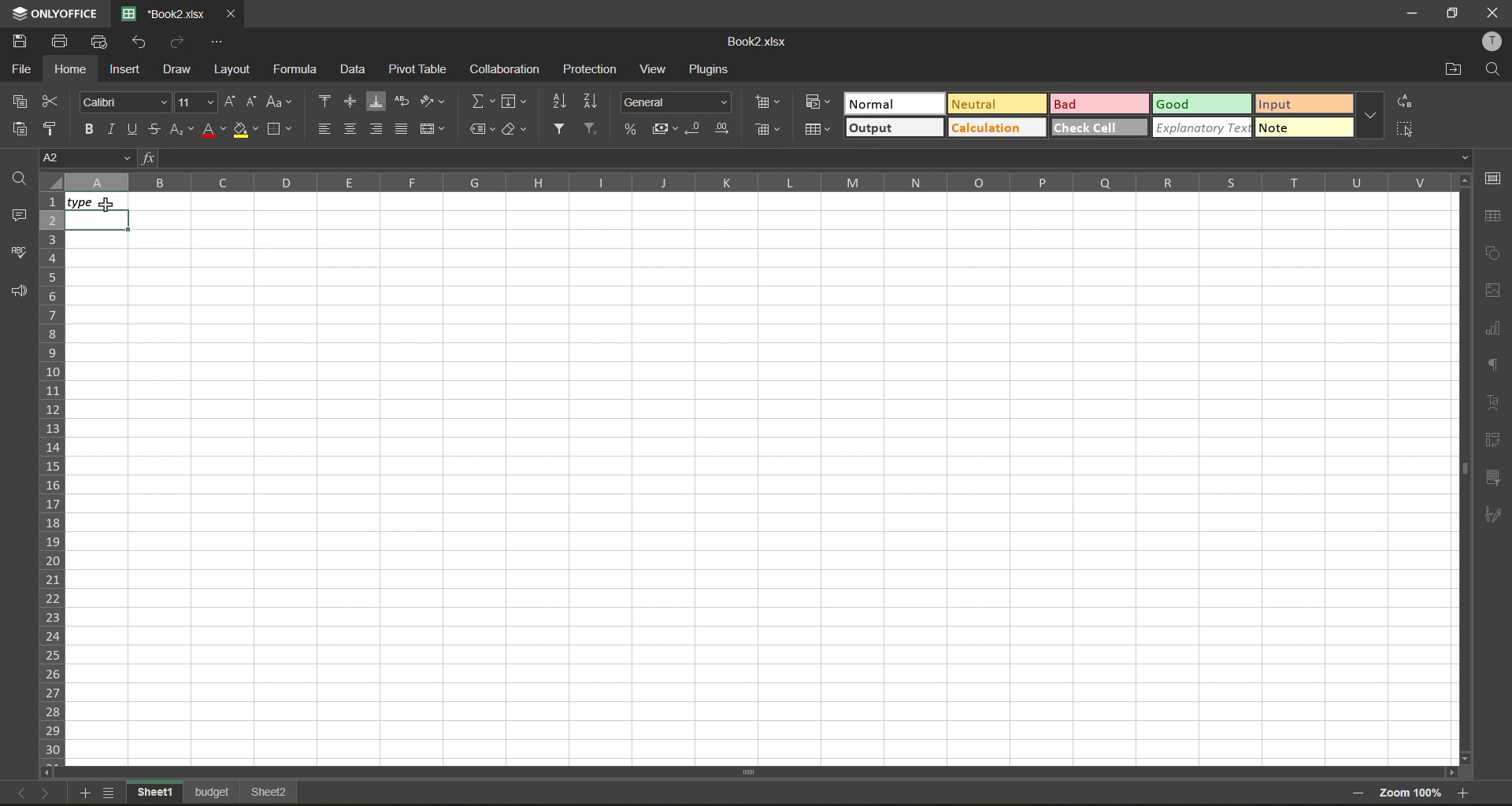  What do you see at coordinates (381, 104) in the screenshot?
I see `align bottom` at bounding box center [381, 104].